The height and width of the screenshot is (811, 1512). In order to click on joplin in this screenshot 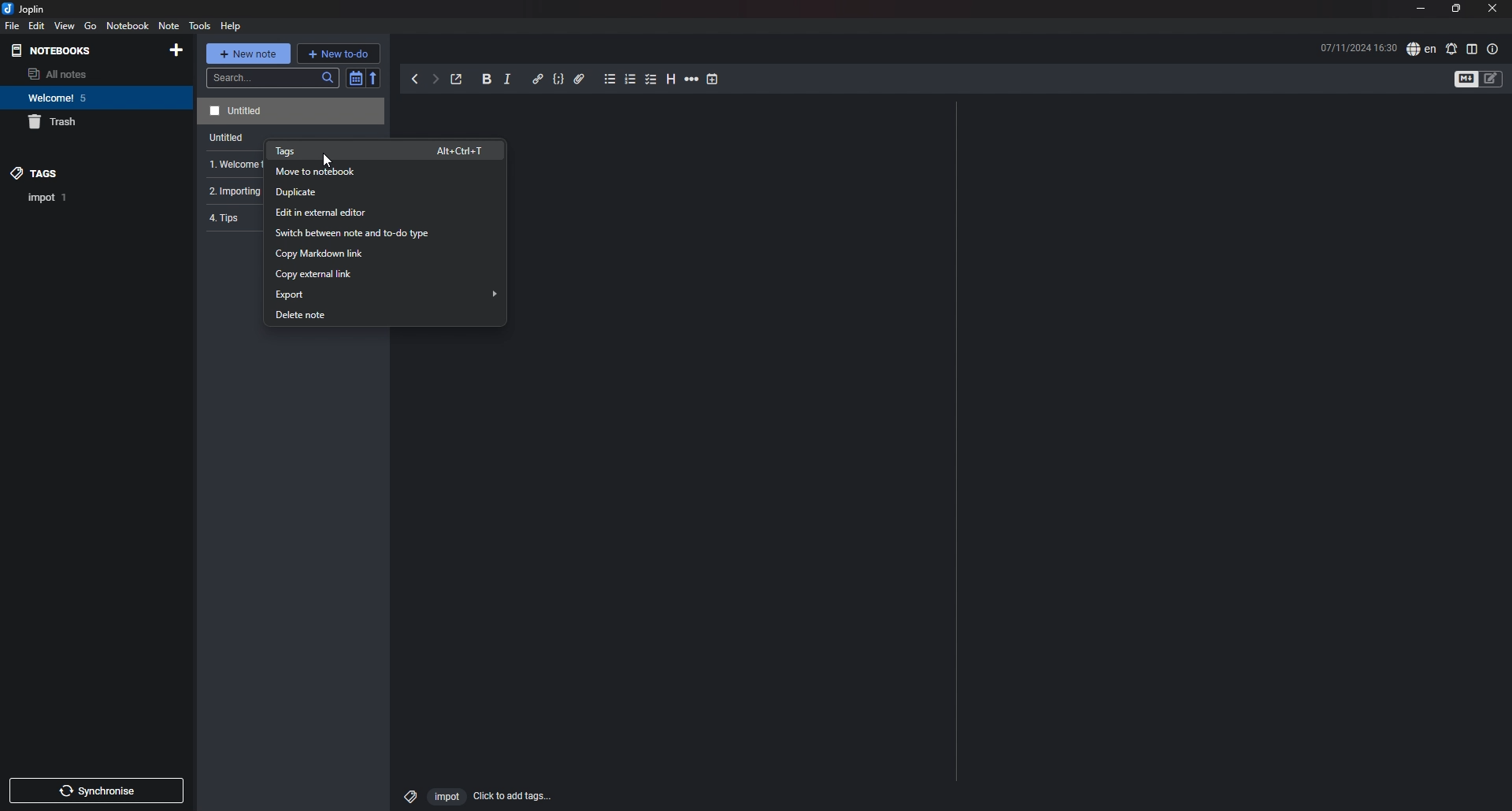, I will do `click(27, 9)`.